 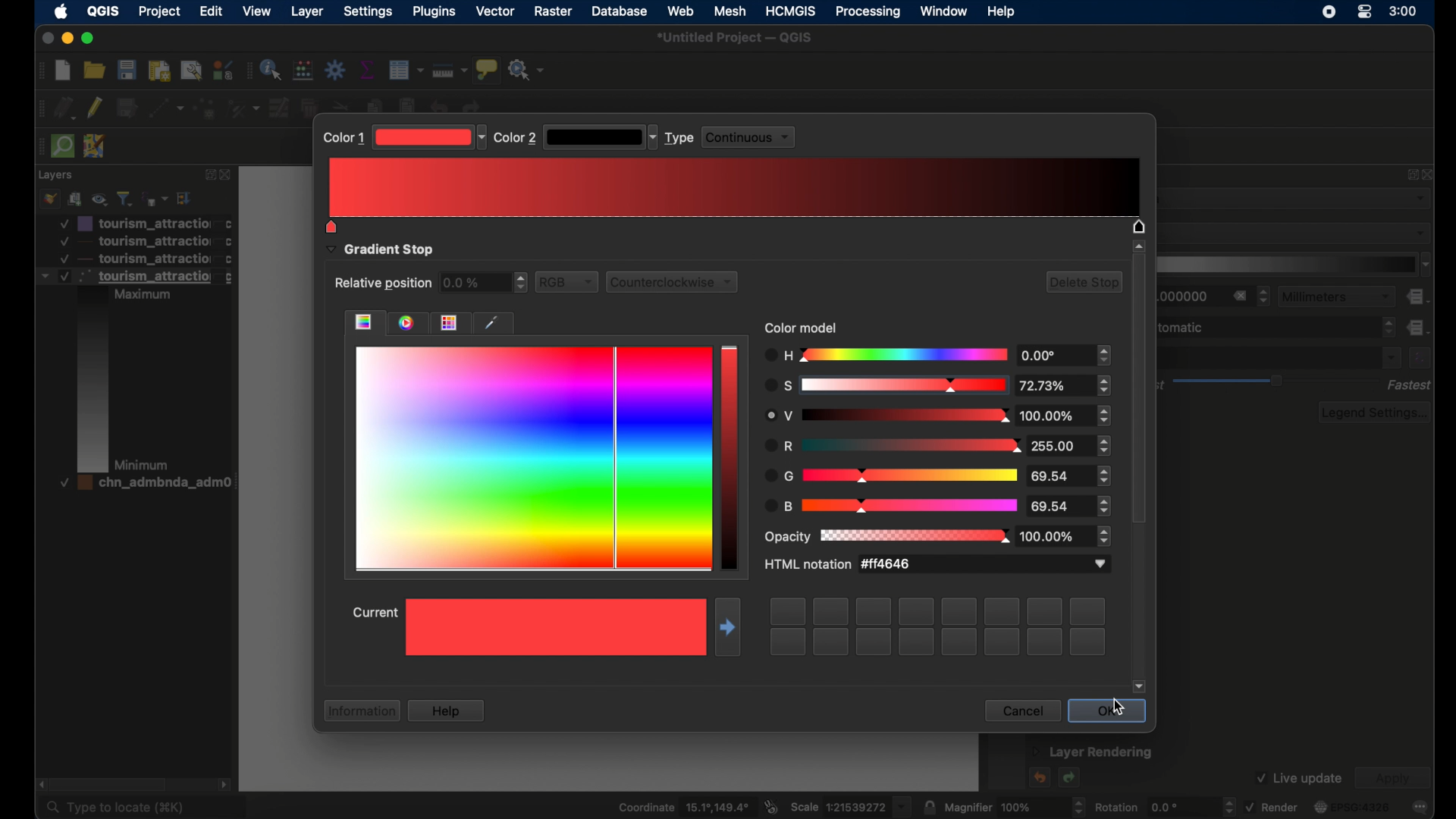 I want to click on color gradient, so click(x=364, y=322).